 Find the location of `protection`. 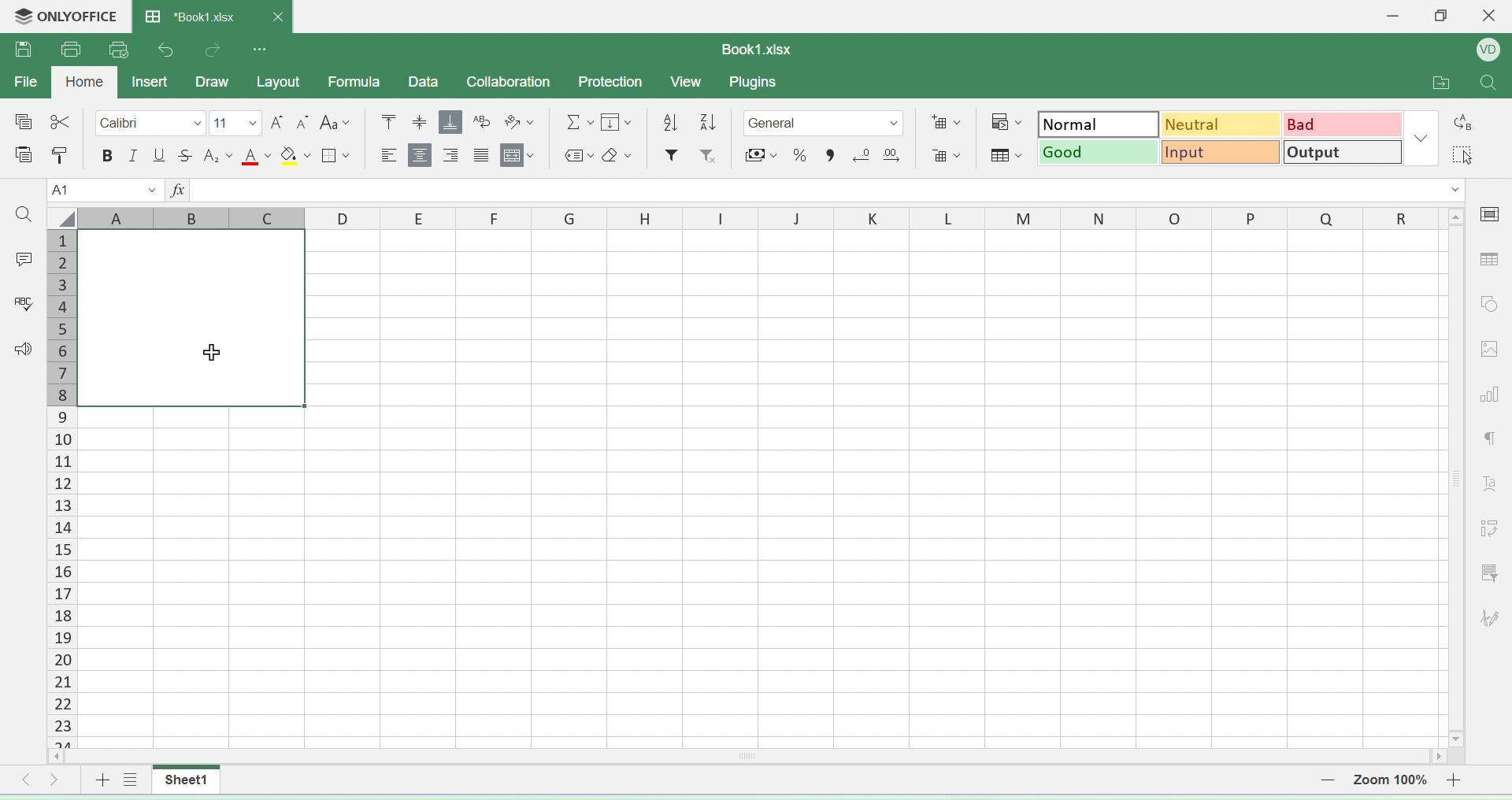

protection is located at coordinates (608, 82).